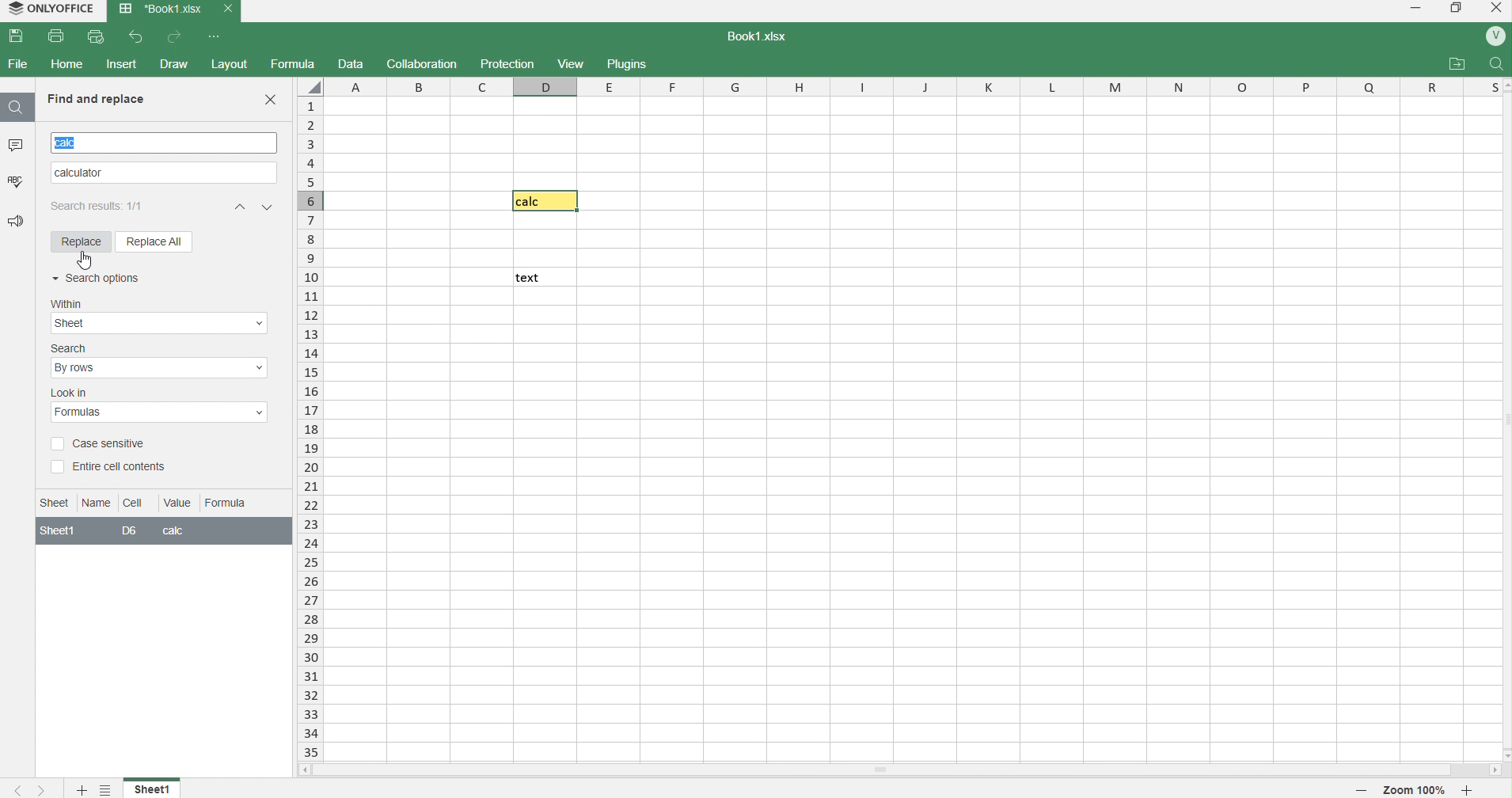 This screenshot has width=1512, height=798. What do you see at coordinates (153, 786) in the screenshot?
I see `sheet 1` at bounding box center [153, 786].